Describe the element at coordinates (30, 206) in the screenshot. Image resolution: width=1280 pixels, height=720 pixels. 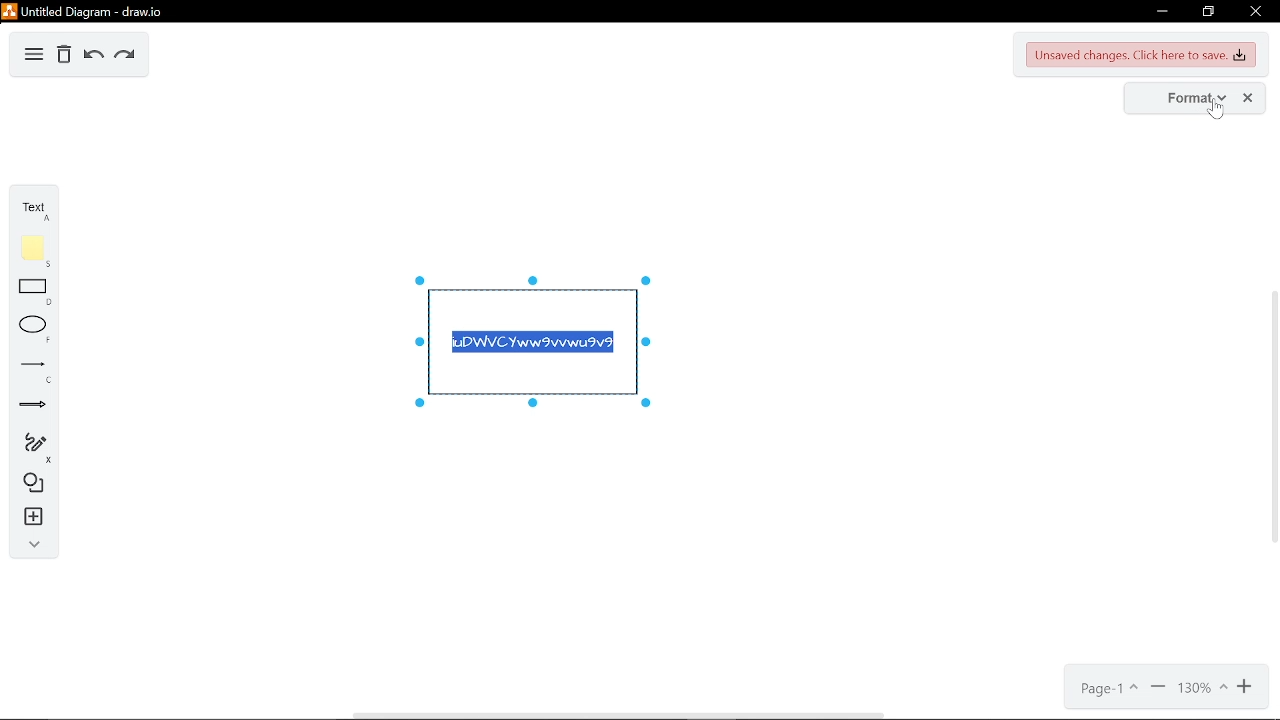
I see `text` at that location.